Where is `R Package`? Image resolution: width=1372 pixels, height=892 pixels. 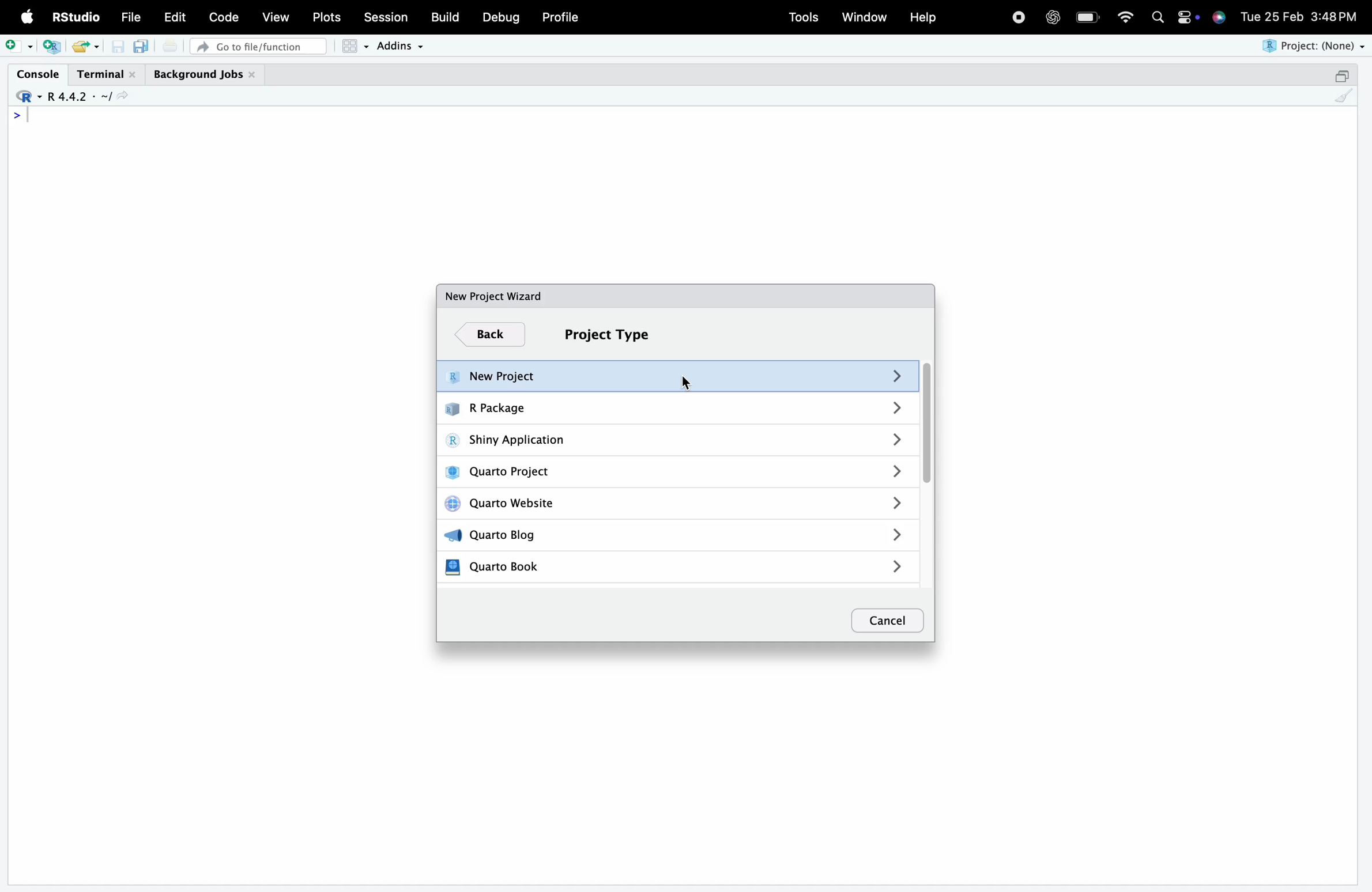 R Package is located at coordinates (676, 407).